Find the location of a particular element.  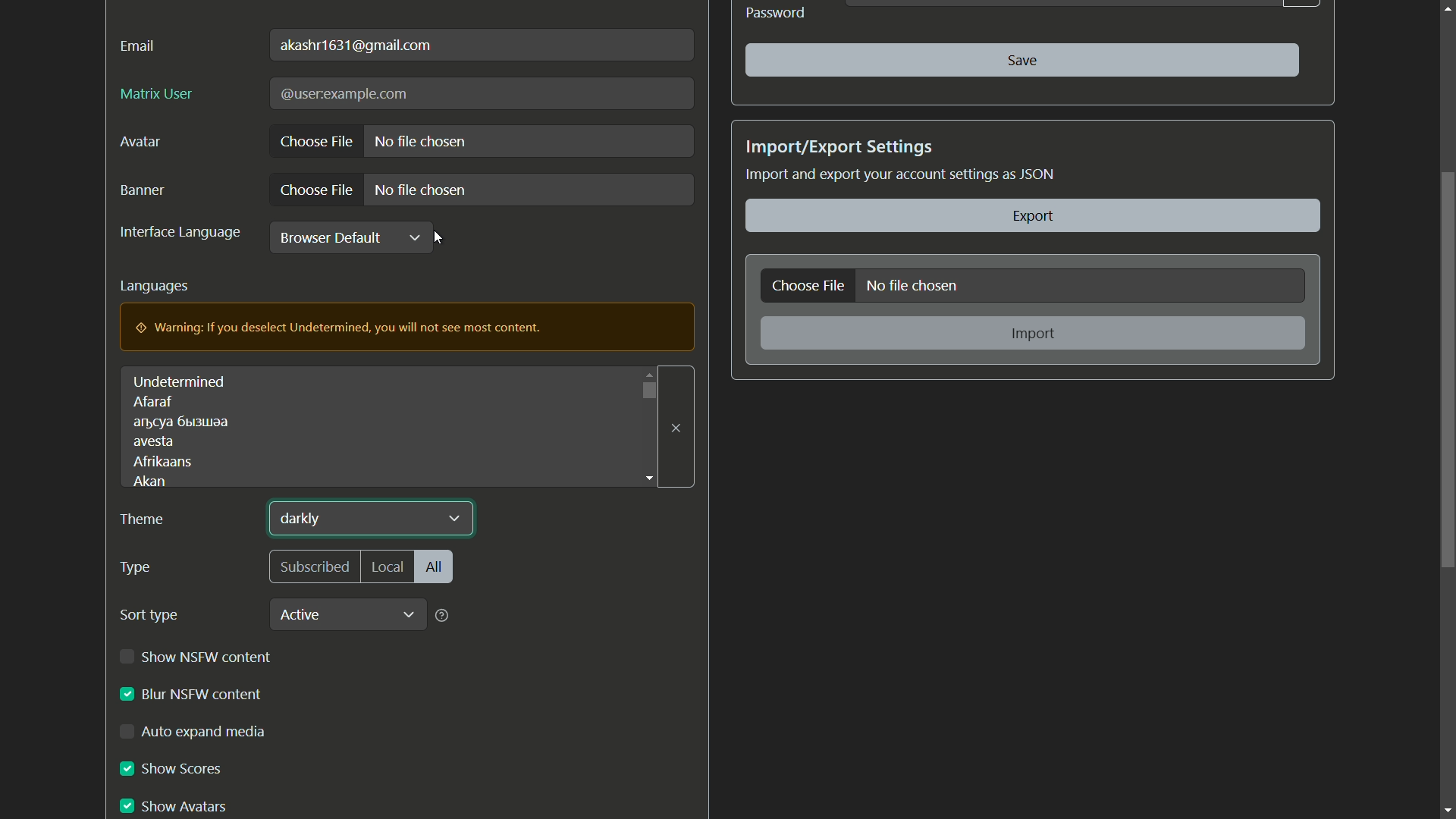

dropdown is located at coordinates (648, 391).